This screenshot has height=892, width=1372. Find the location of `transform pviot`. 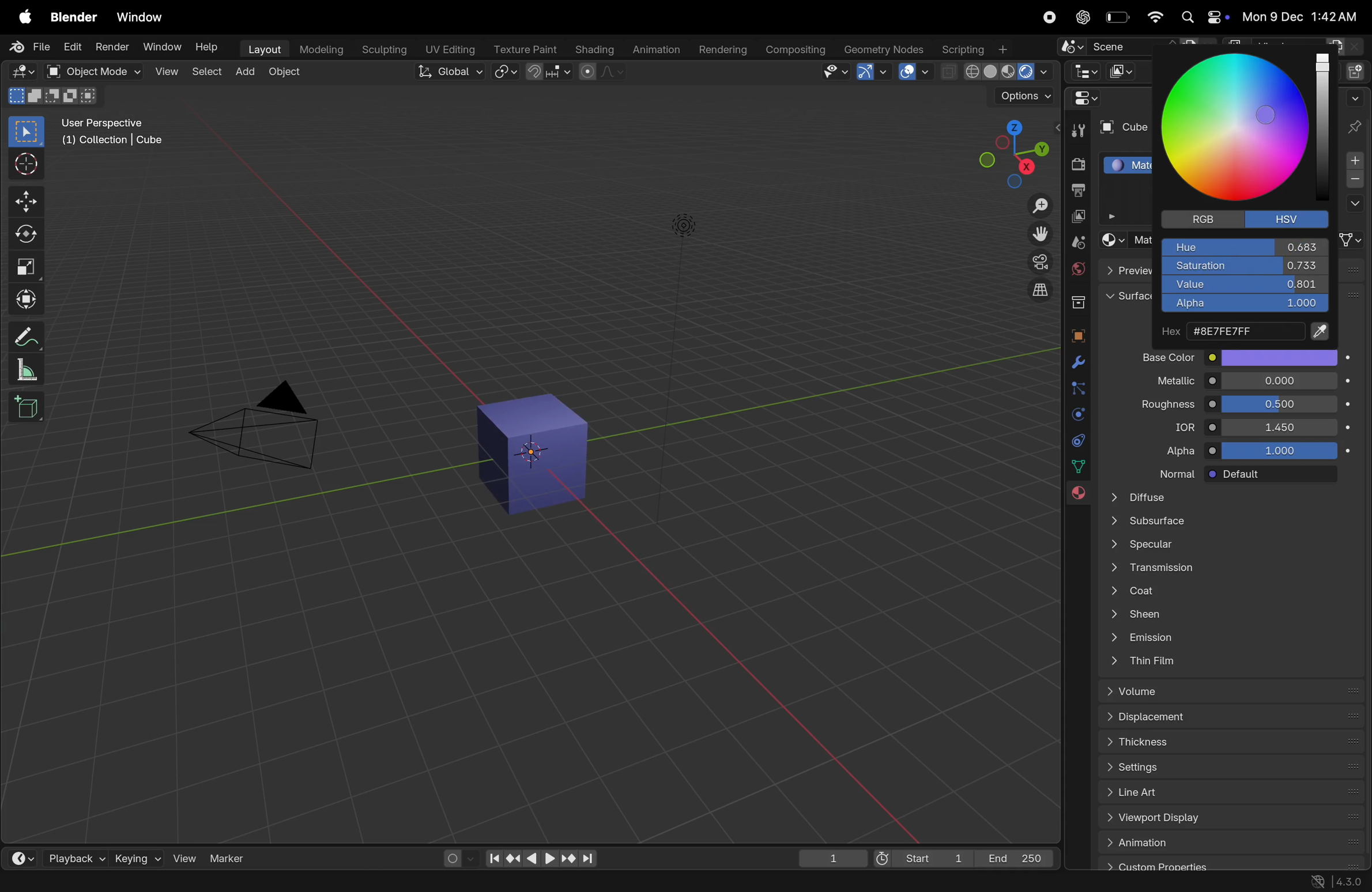

transform pviot is located at coordinates (506, 72).